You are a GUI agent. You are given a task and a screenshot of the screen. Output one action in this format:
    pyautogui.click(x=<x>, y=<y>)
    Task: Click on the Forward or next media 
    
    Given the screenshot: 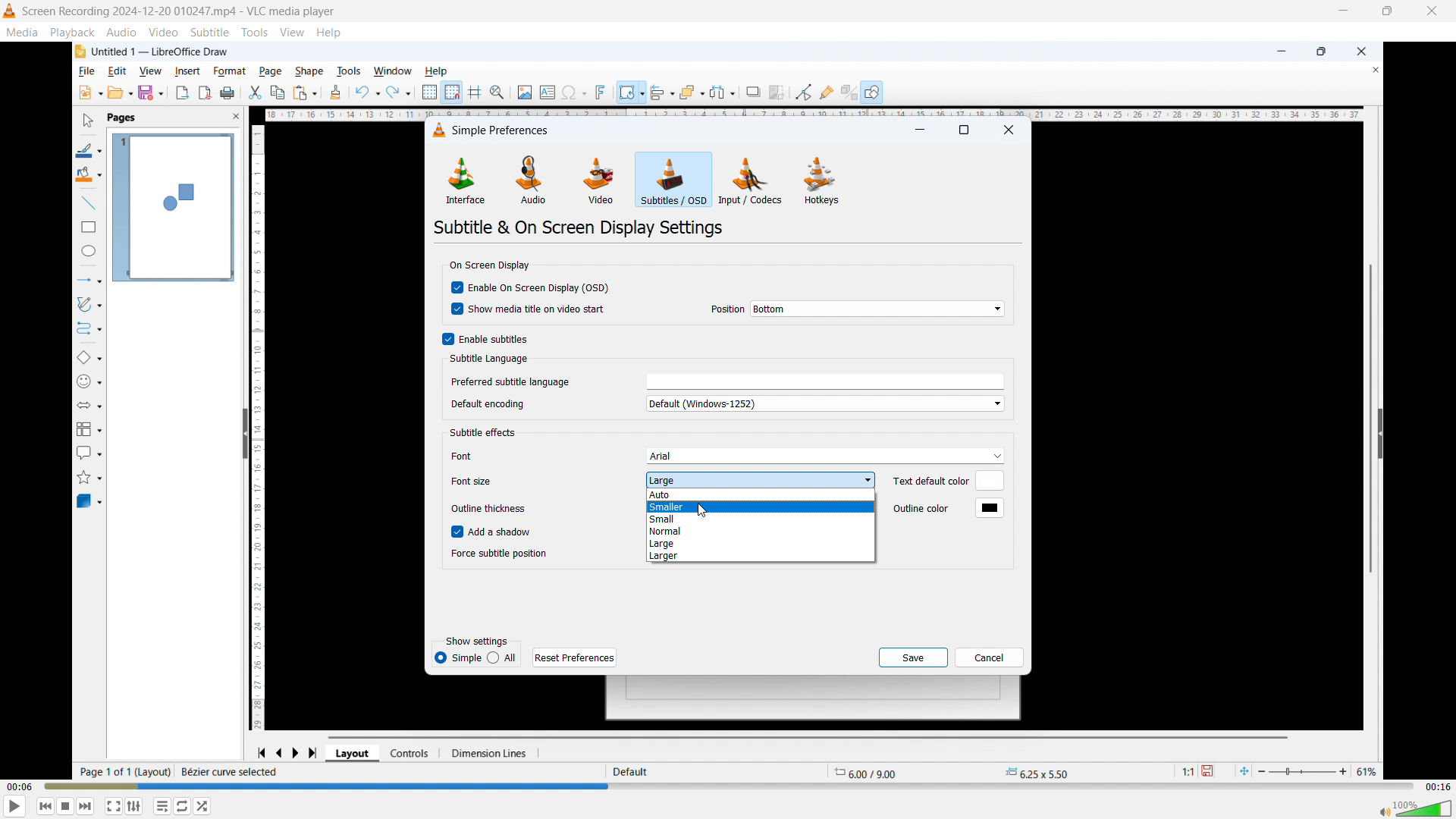 What is the action you would take?
    pyautogui.click(x=85, y=807)
    